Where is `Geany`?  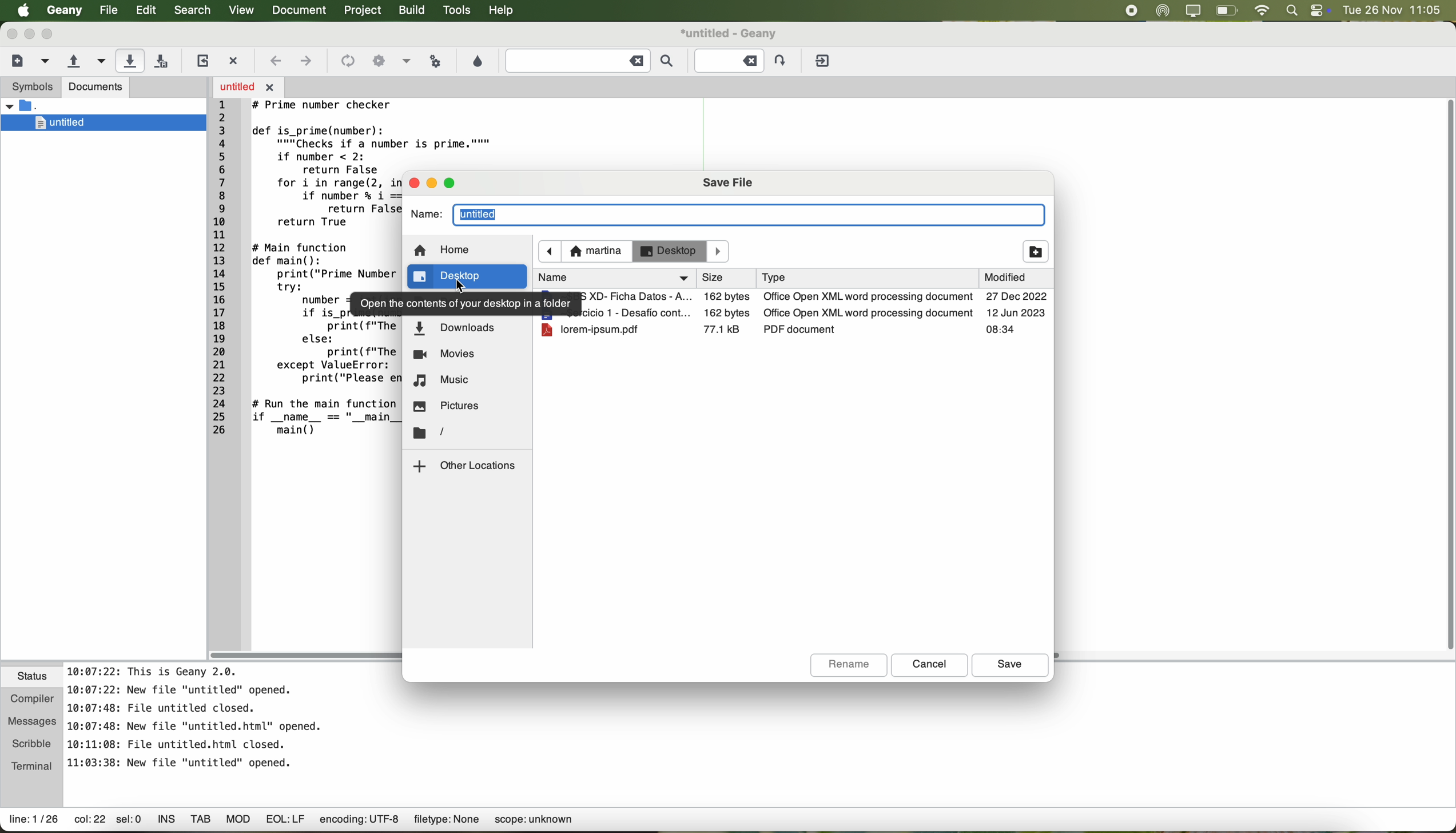
Geany is located at coordinates (63, 11).